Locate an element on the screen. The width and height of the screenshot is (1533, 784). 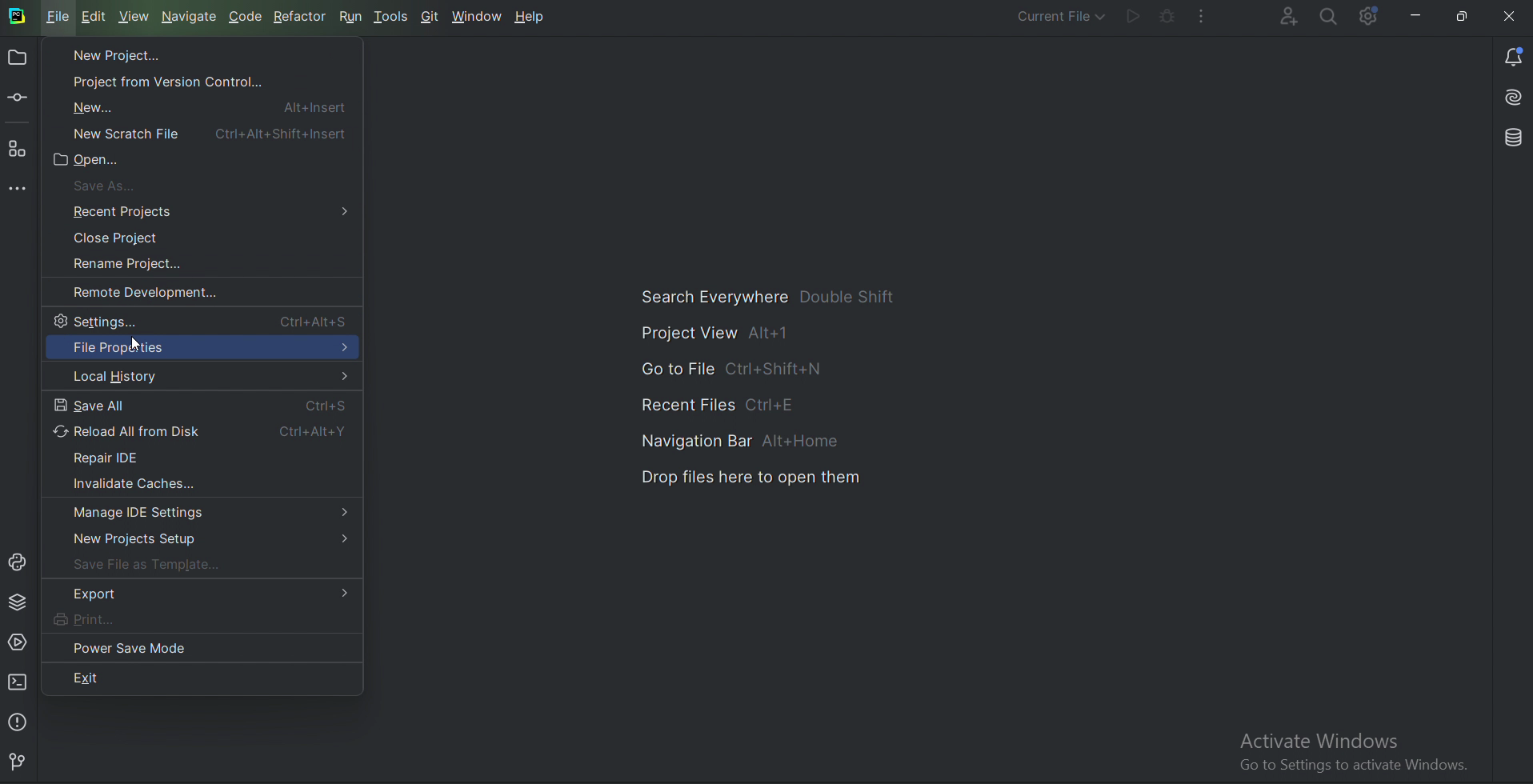
Remote development is located at coordinates (154, 292).